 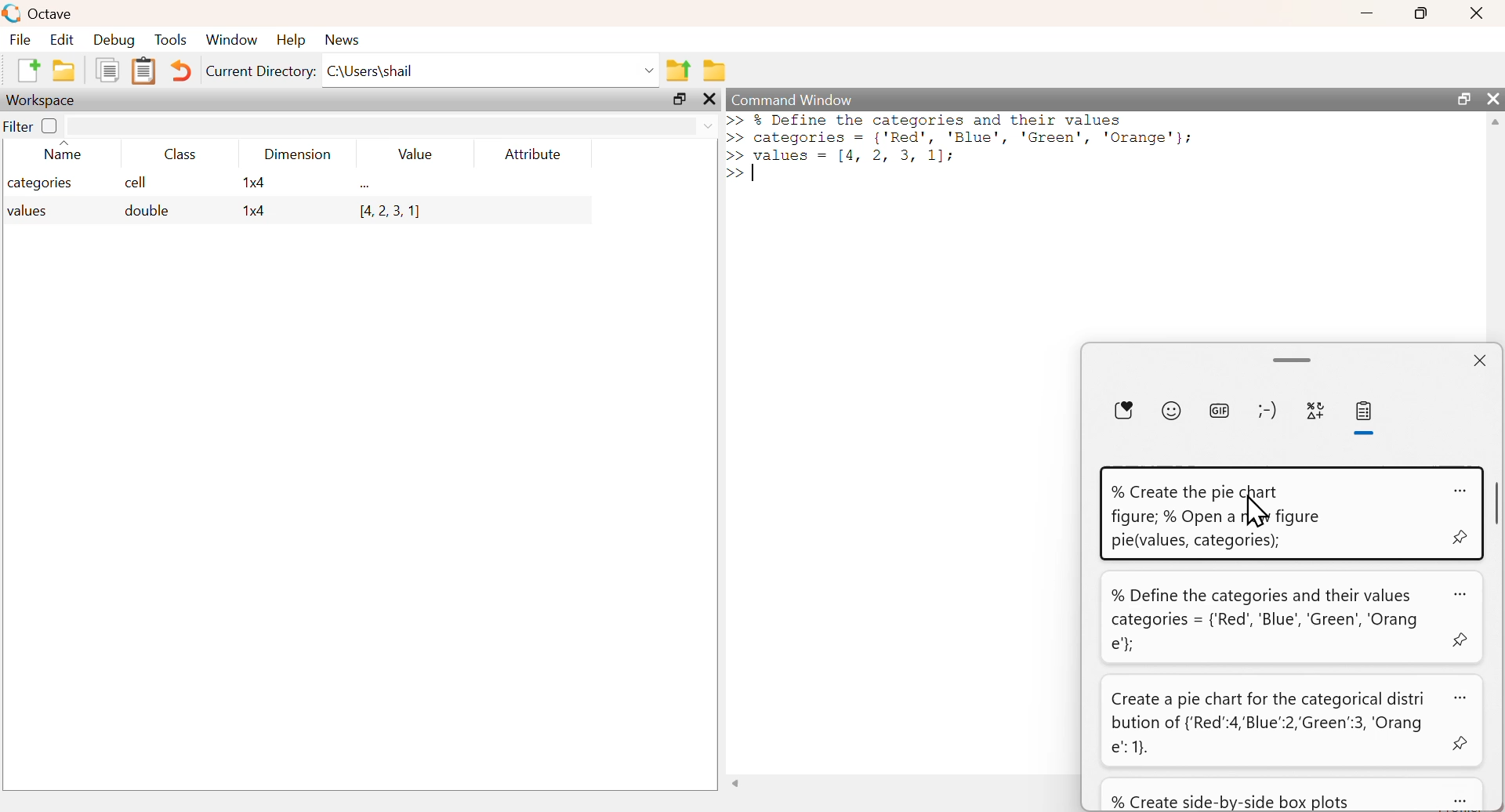 I want to click on pin, so click(x=1460, y=638).